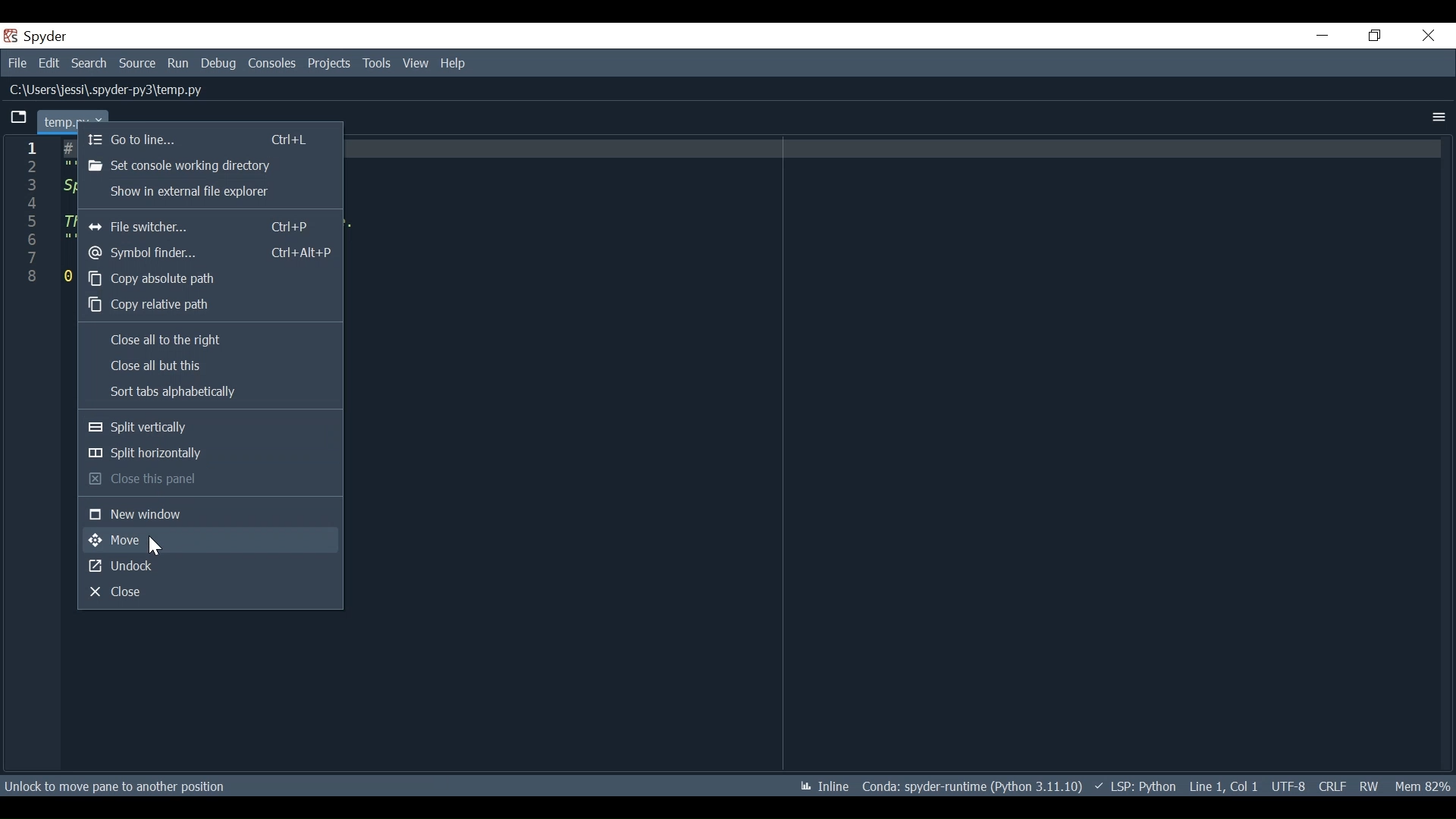 The height and width of the screenshot is (819, 1456). What do you see at coordinates (156, 548) in the screenshot?
I see `Cursor` at bounding box center [156, 548].